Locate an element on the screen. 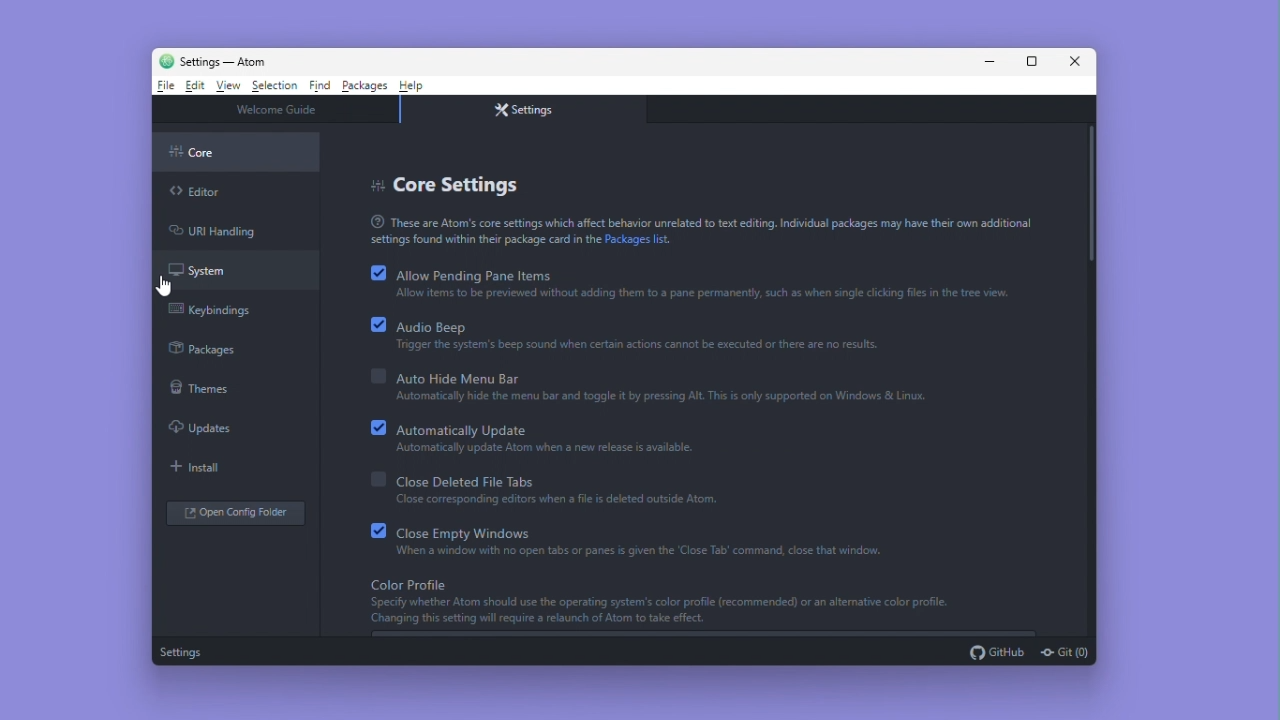 The height and width of the screenshot is (720, 1280). ‘When a window with no open tabs or panes & given the Close Tab’ command, close that window. is located at coordinates (648, 554).